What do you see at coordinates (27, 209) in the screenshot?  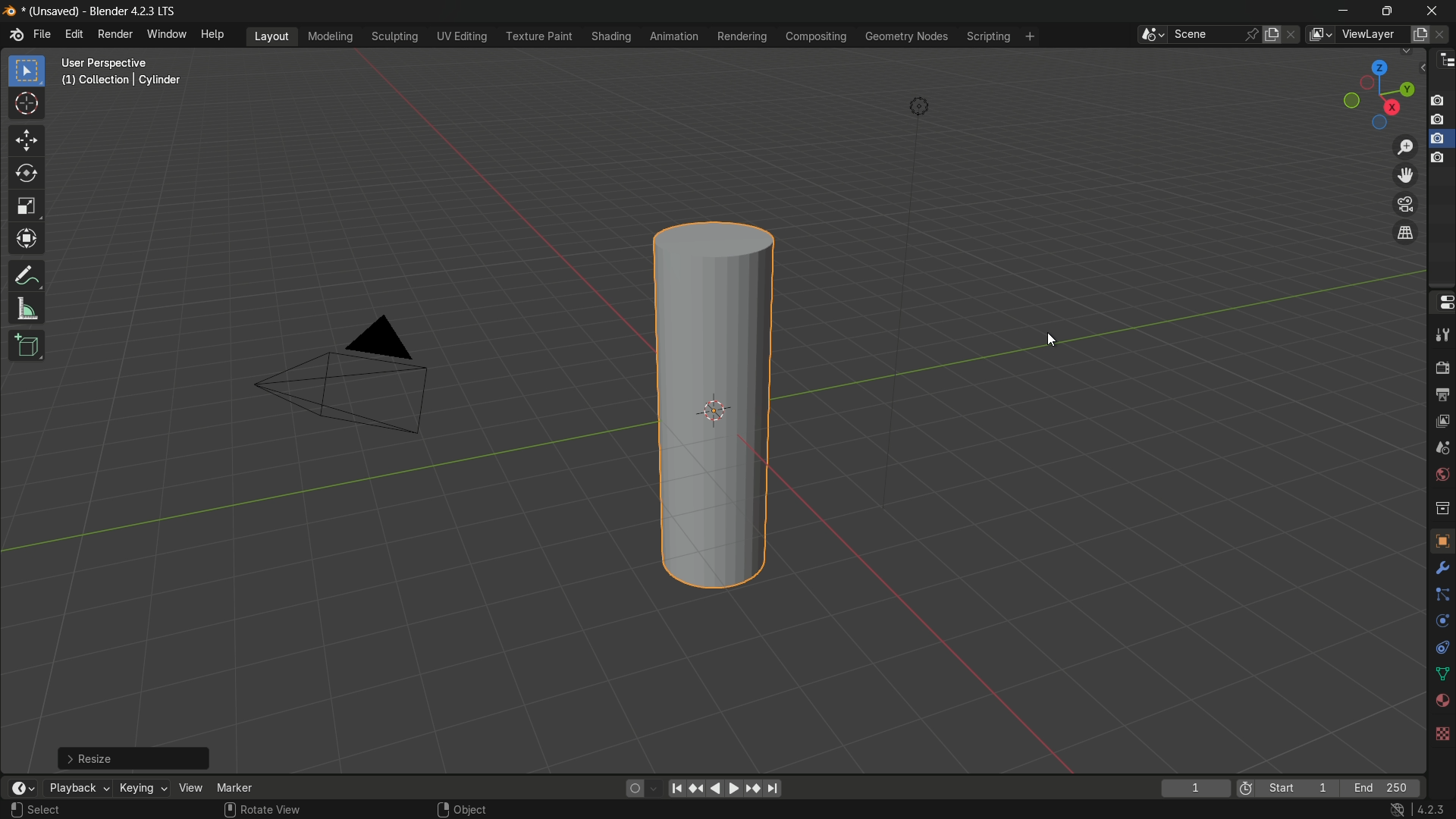 I see `scale` at bounding box center [27, 209].